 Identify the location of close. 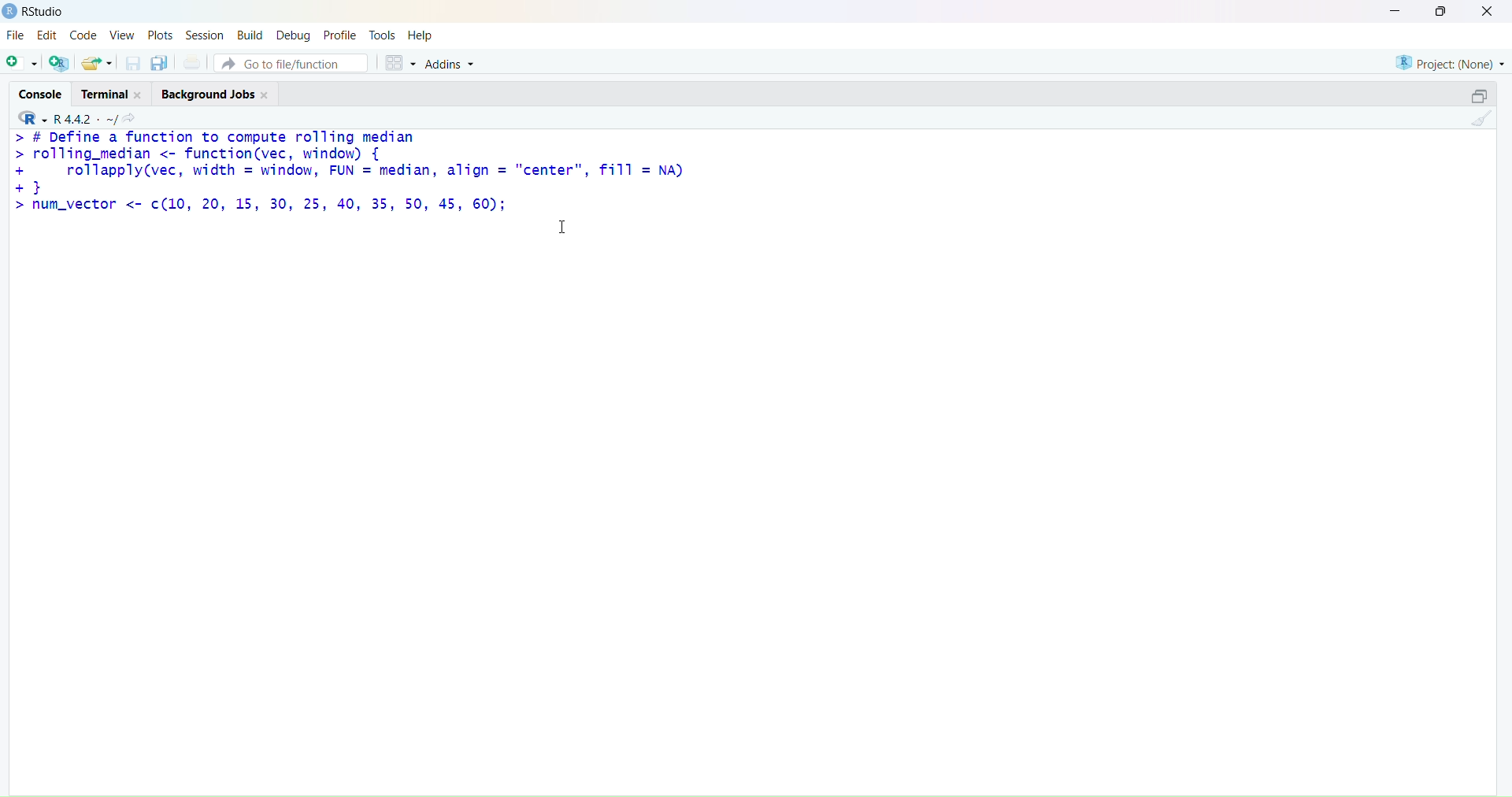
(265, 96).